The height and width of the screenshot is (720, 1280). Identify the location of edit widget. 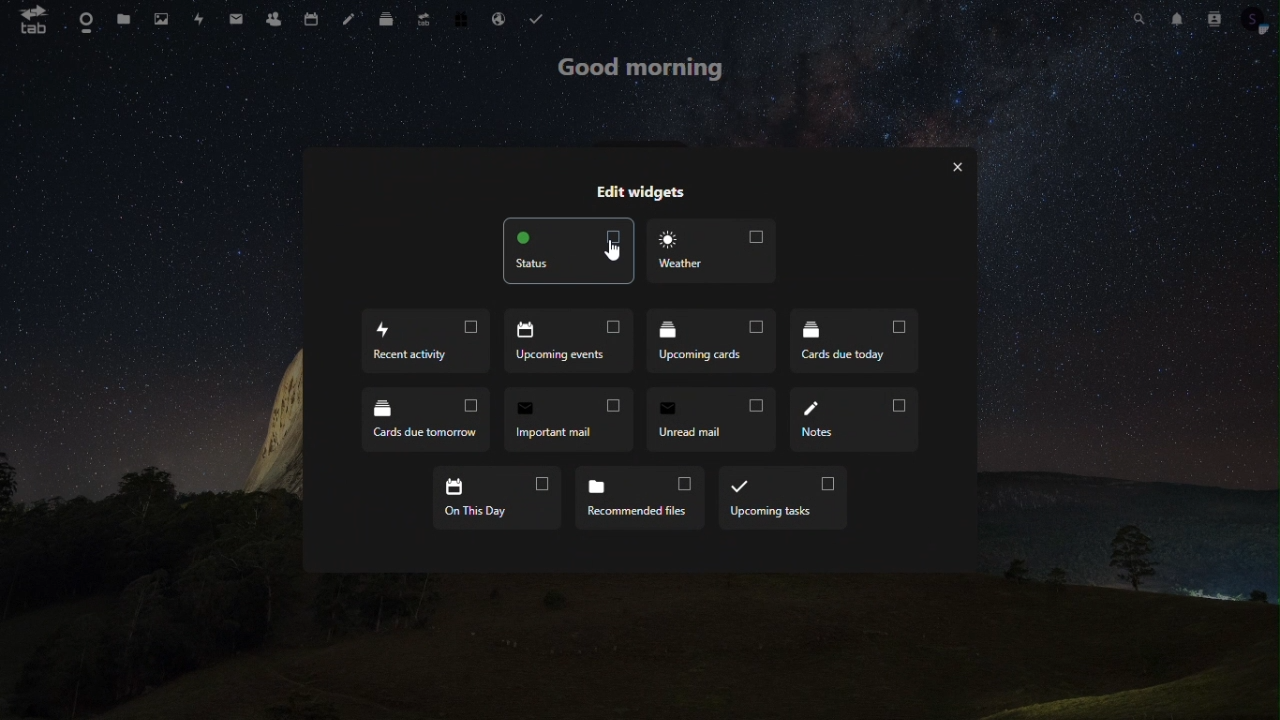
(660, 193).